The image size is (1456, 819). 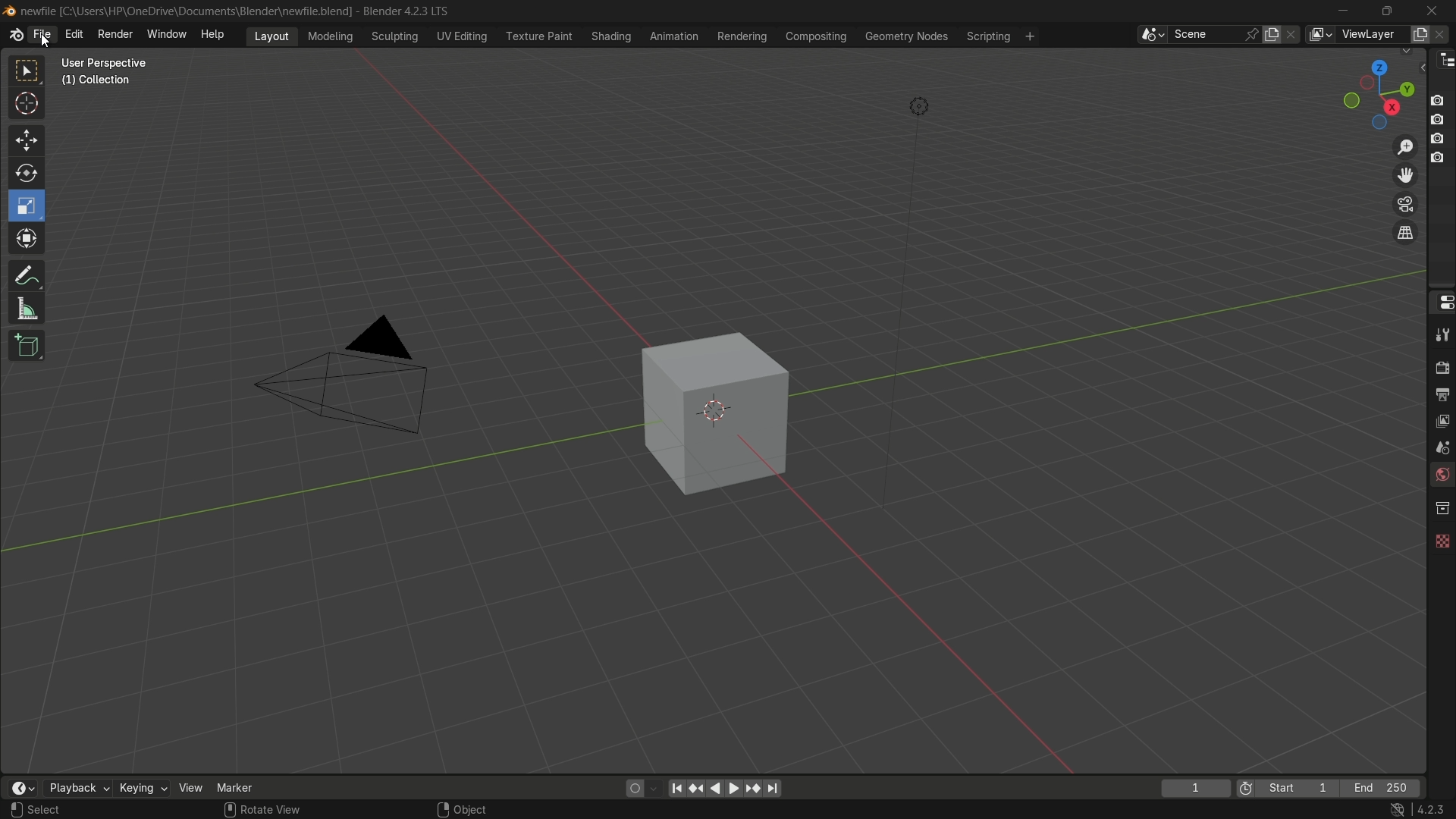 What do you see at coordinates (1439, 366) in the screenshot?
I see `render` at bounding box center [1439, 366].